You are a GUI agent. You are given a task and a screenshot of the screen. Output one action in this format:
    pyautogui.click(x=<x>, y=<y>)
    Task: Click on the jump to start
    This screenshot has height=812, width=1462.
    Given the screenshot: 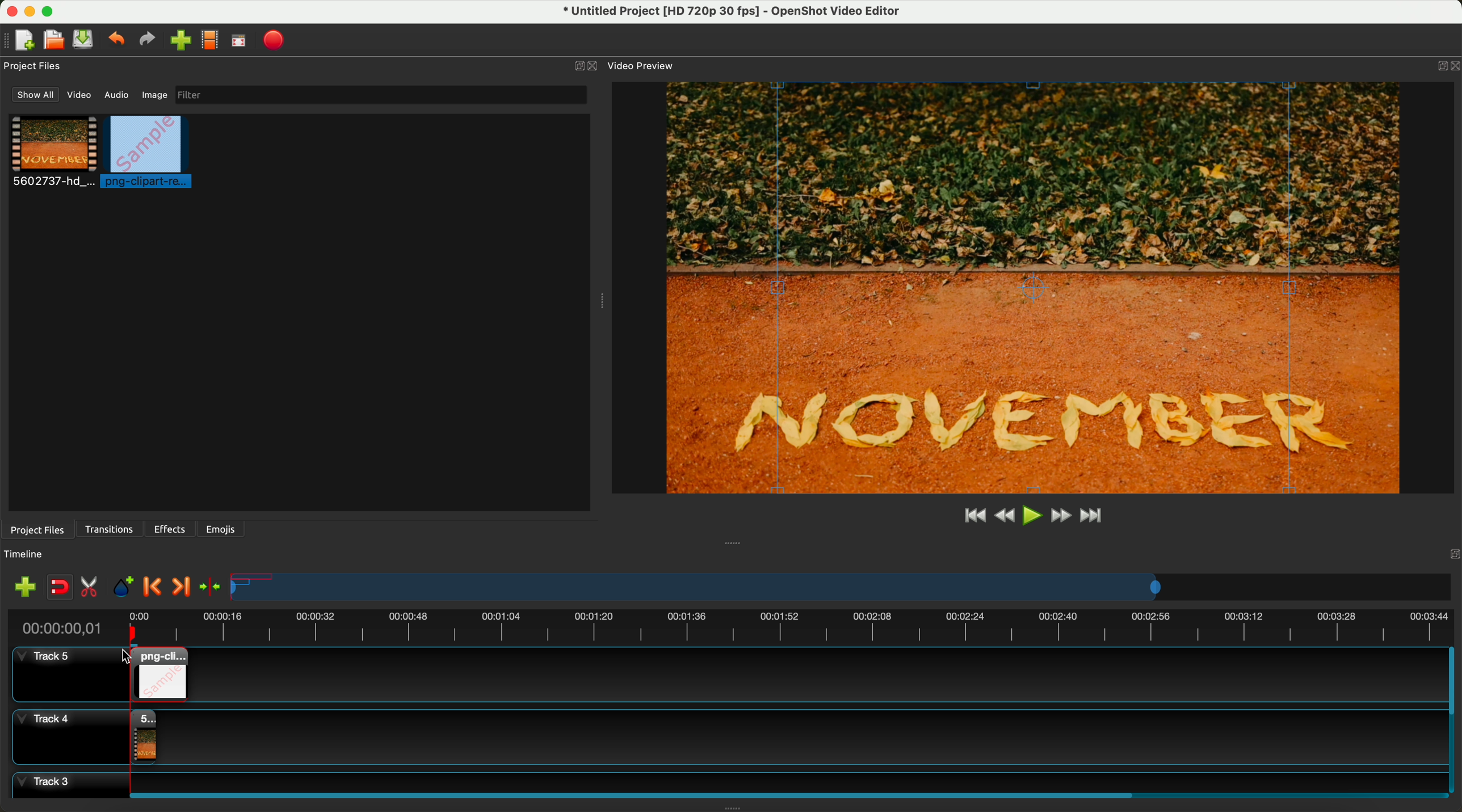 What is the action you would take?
    pyautogui.click(x=975, y=516)
    